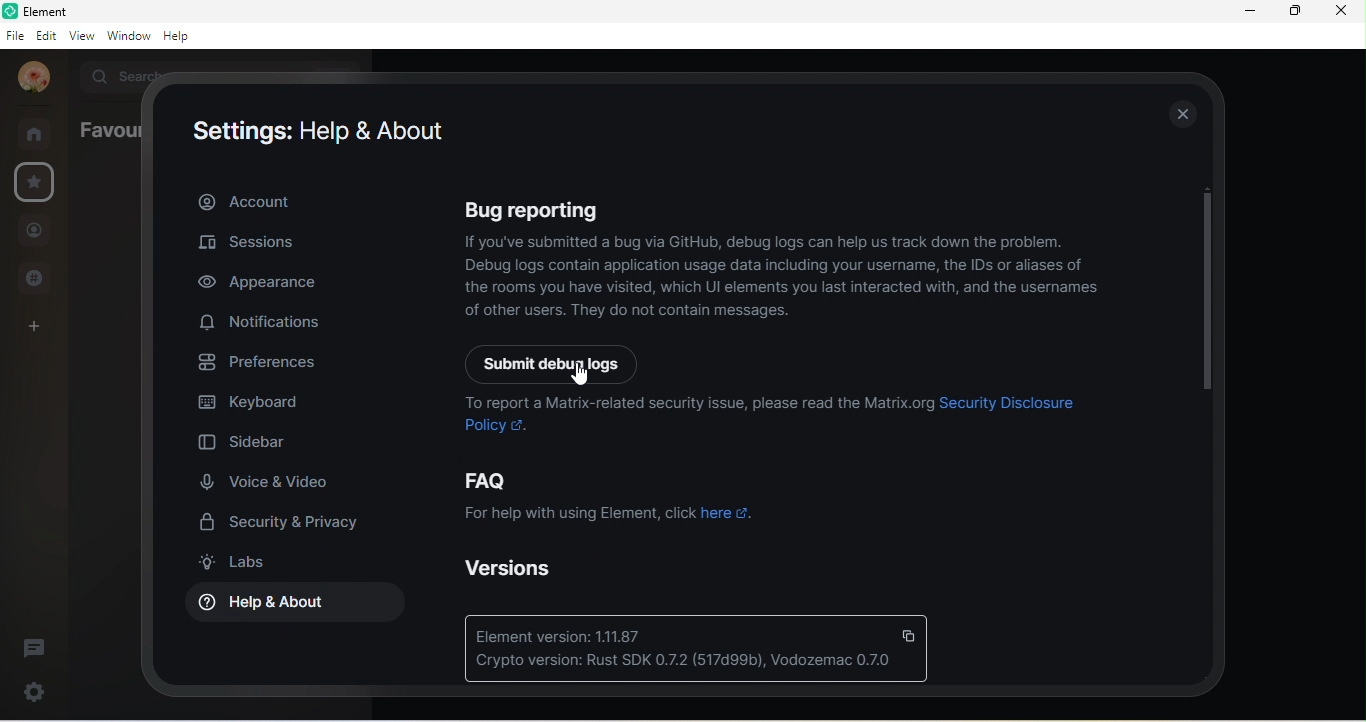  What do you see at coordinates (15, 36) in the screenshot?
I see `file` at bounding box center [15, 36].